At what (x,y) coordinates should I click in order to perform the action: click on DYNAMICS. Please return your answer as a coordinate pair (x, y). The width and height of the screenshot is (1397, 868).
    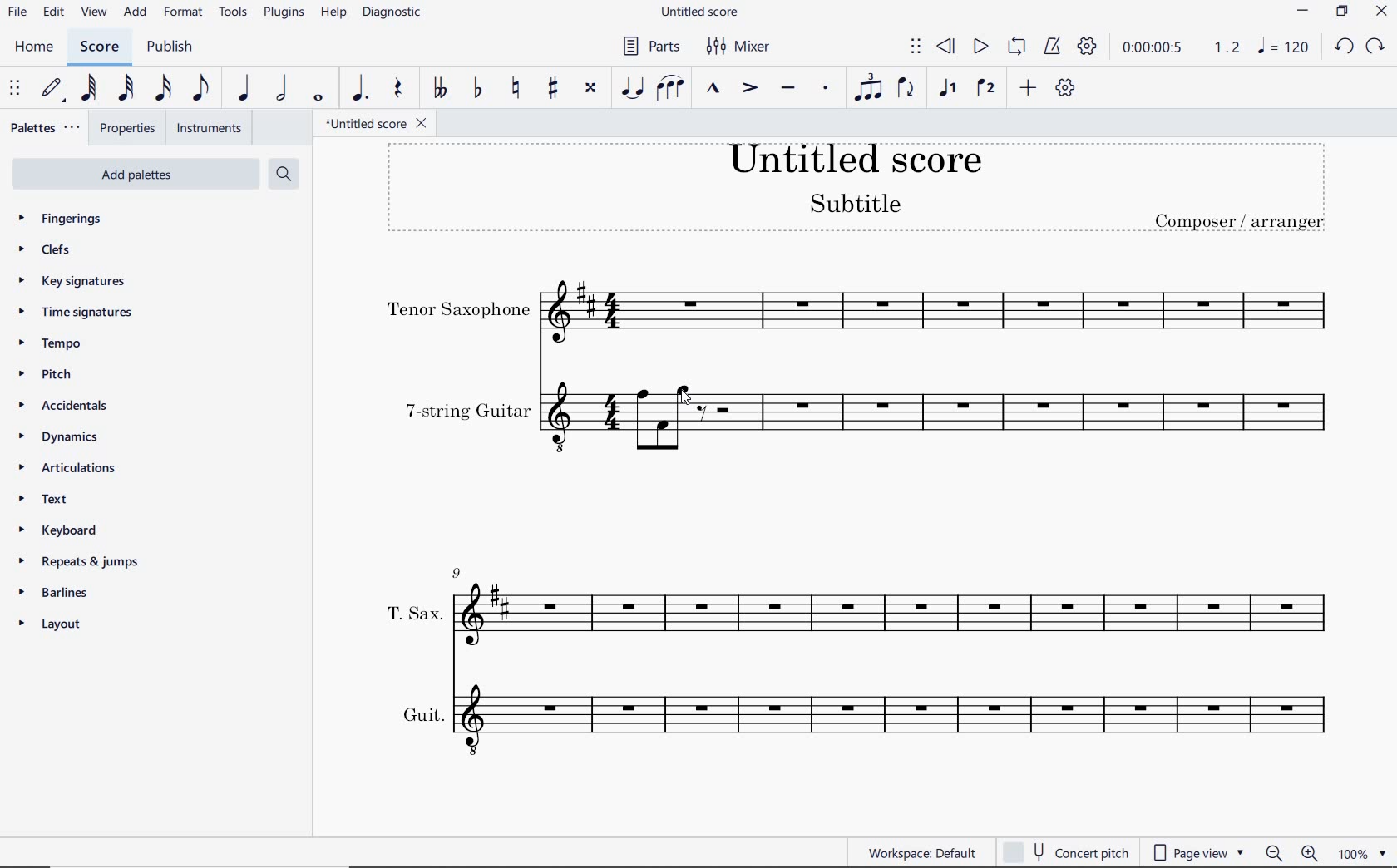
    Looking at the image, I should click on (70, 436).